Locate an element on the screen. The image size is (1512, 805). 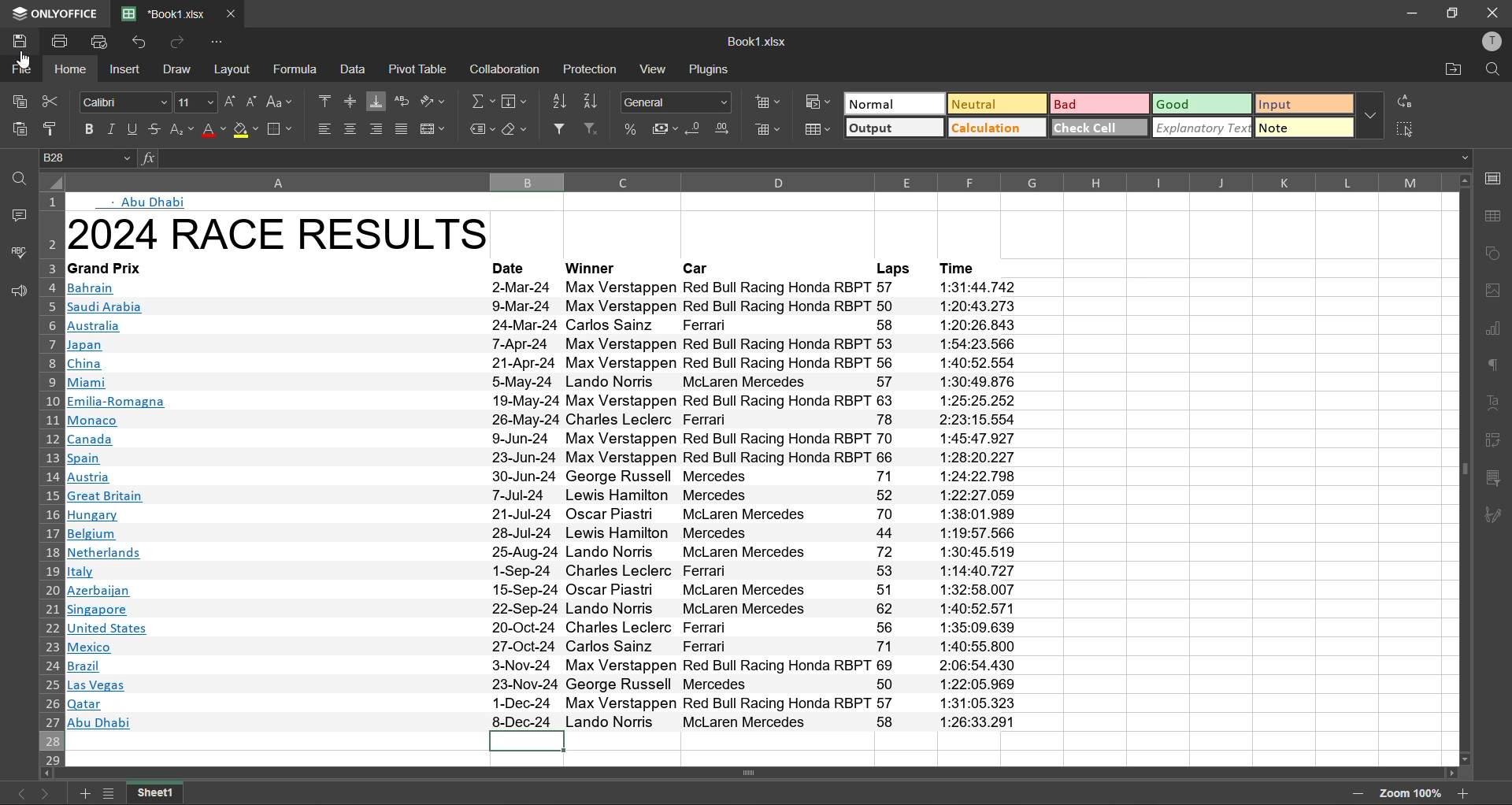
protection is located at coordinates (594, 69).